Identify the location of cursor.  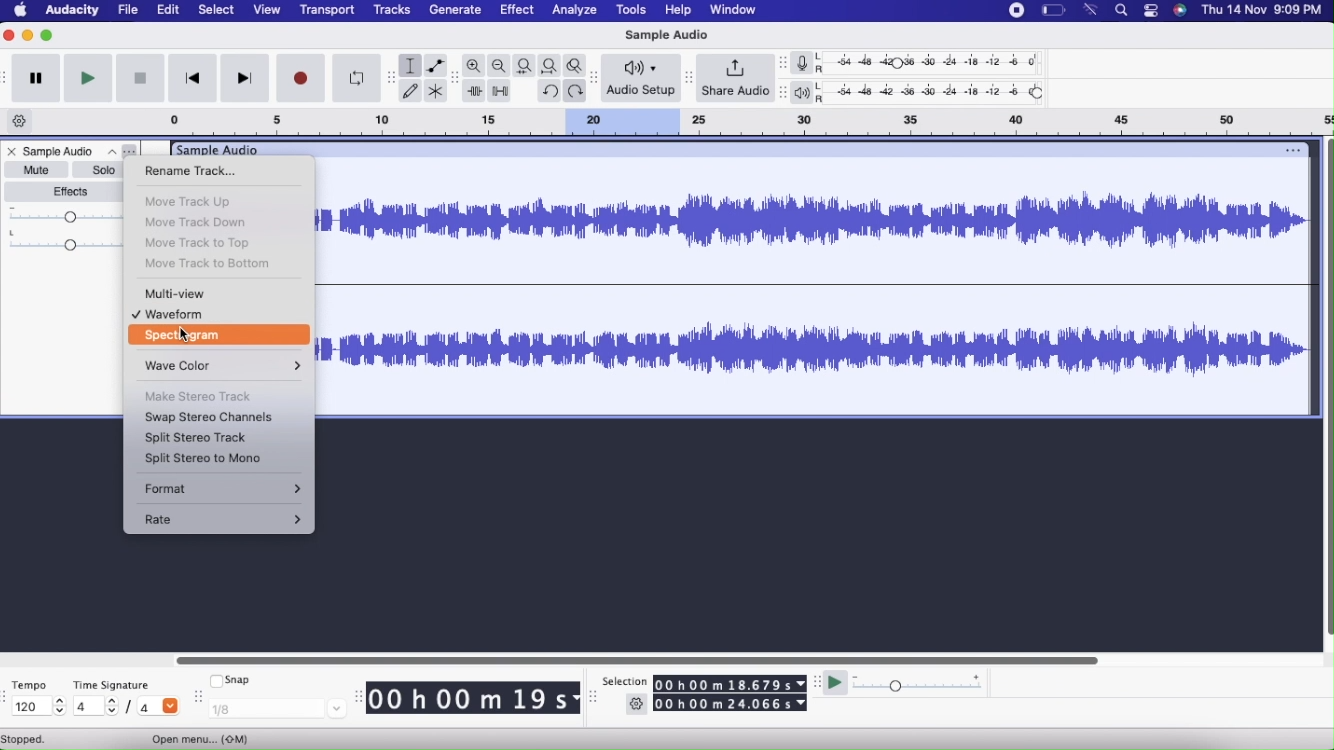
(184, 334).